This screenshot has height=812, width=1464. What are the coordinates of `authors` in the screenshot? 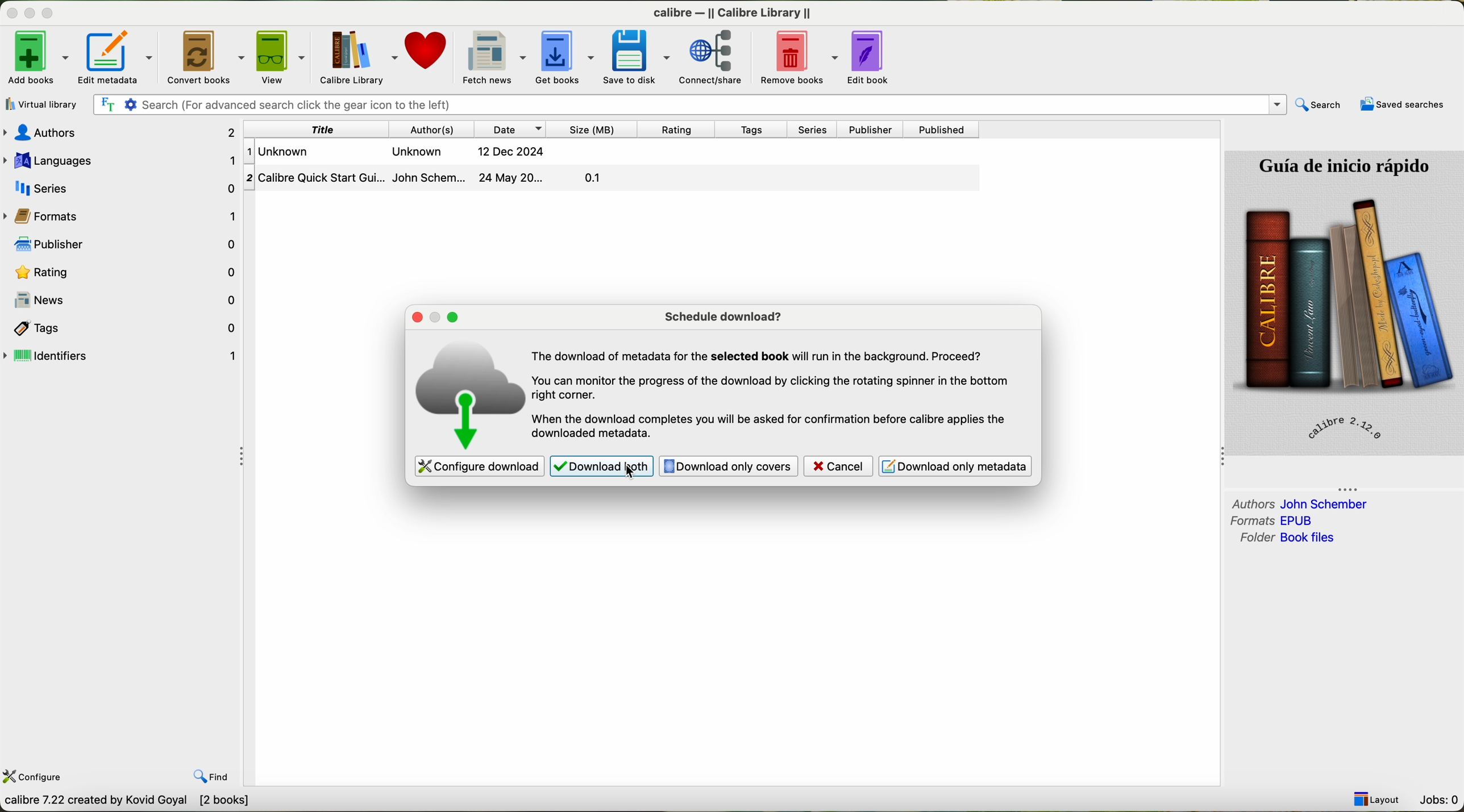 It's located at (428, 128).